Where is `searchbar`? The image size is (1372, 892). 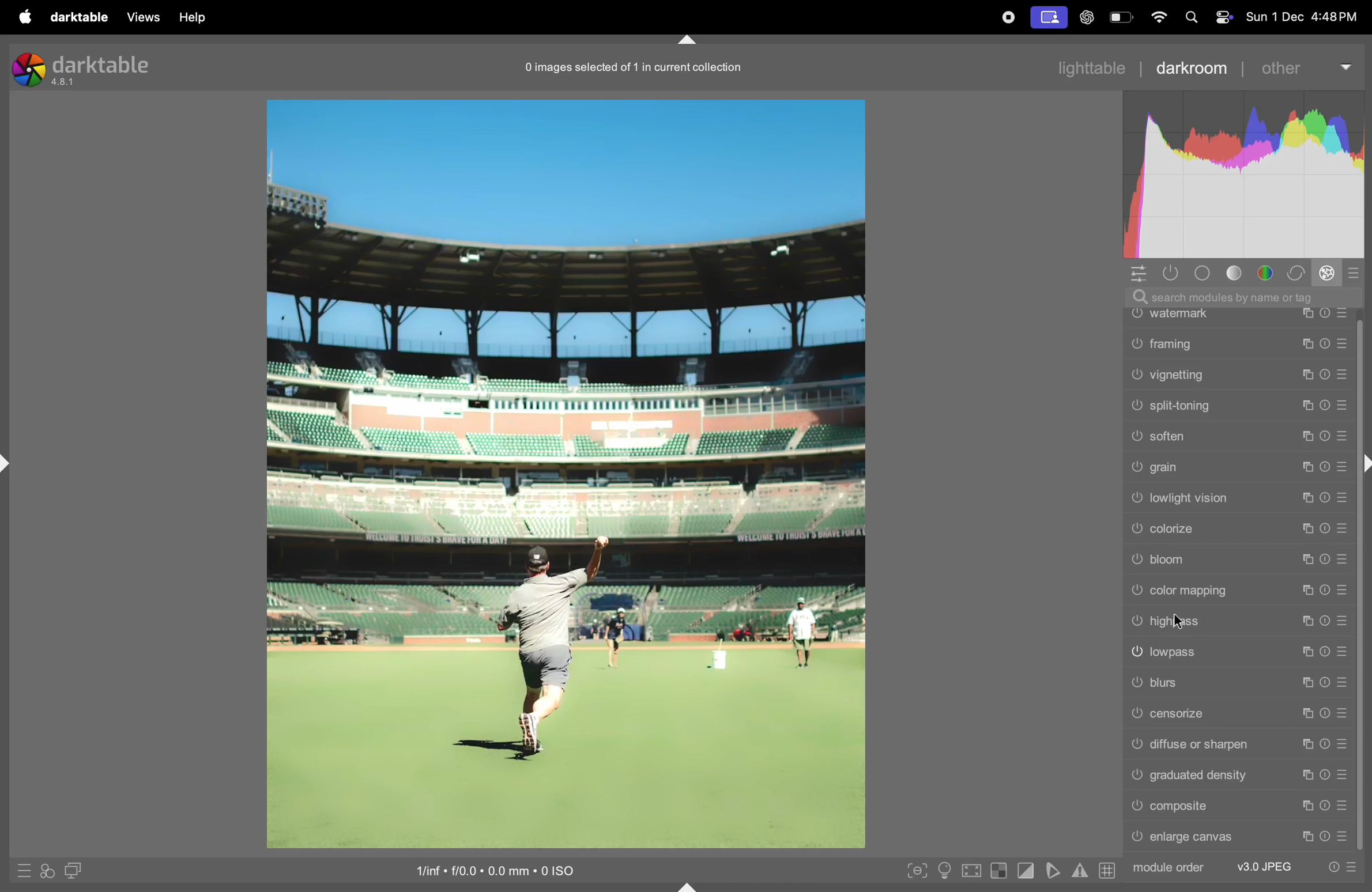 searchbar is located at coordinates (1250, 296).